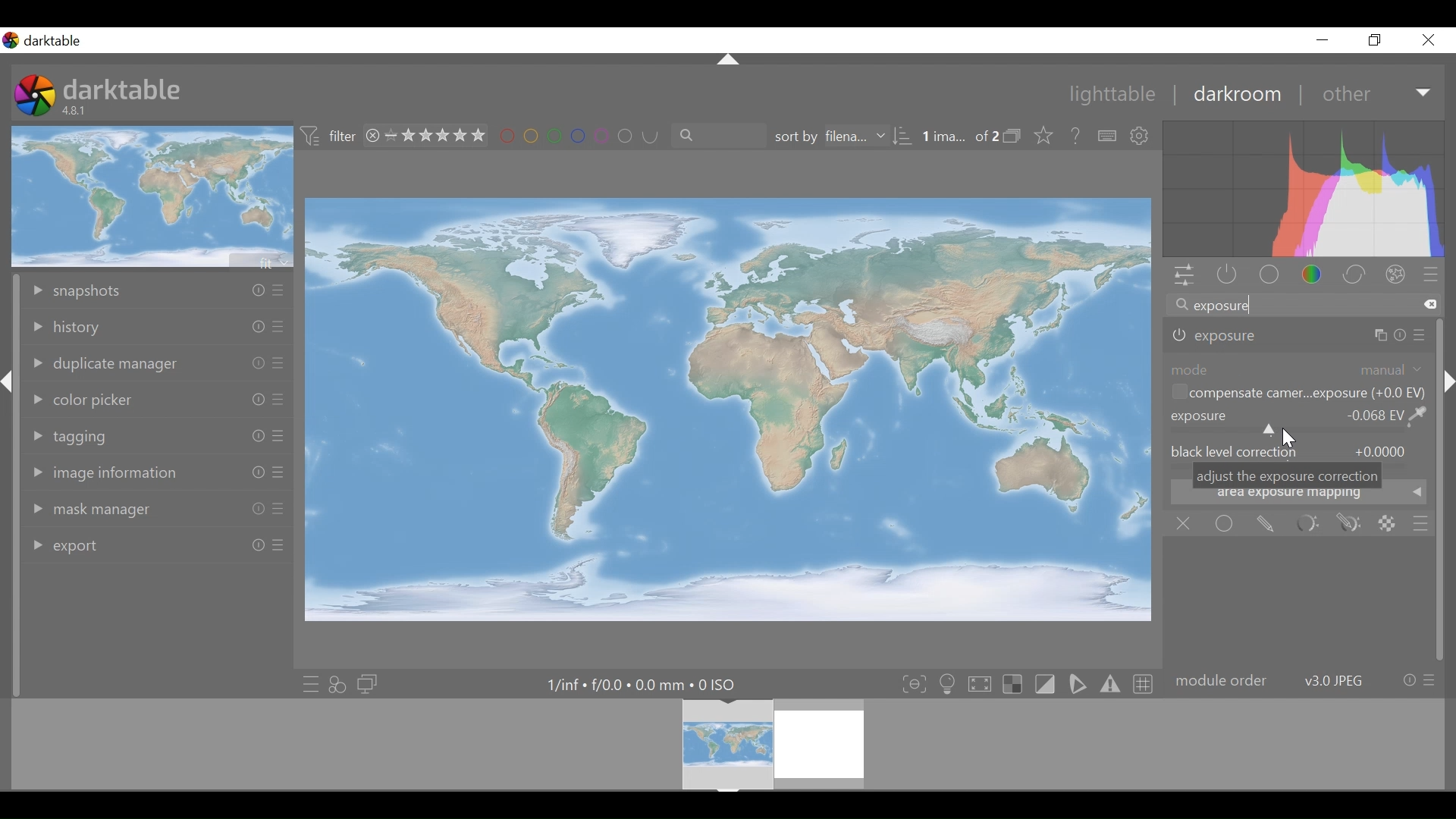  I want to click on image information, so click(156, 475).